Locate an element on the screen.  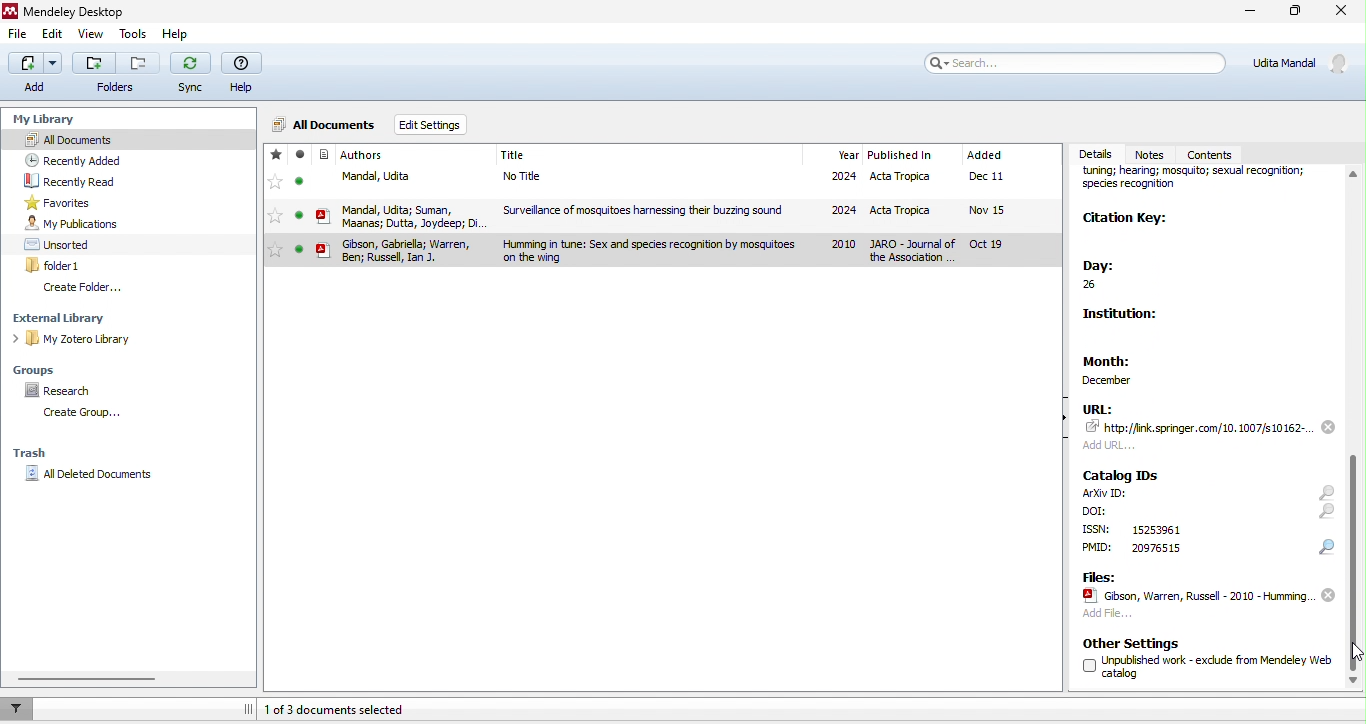
my zotero library is located at coordinates (76, 340).